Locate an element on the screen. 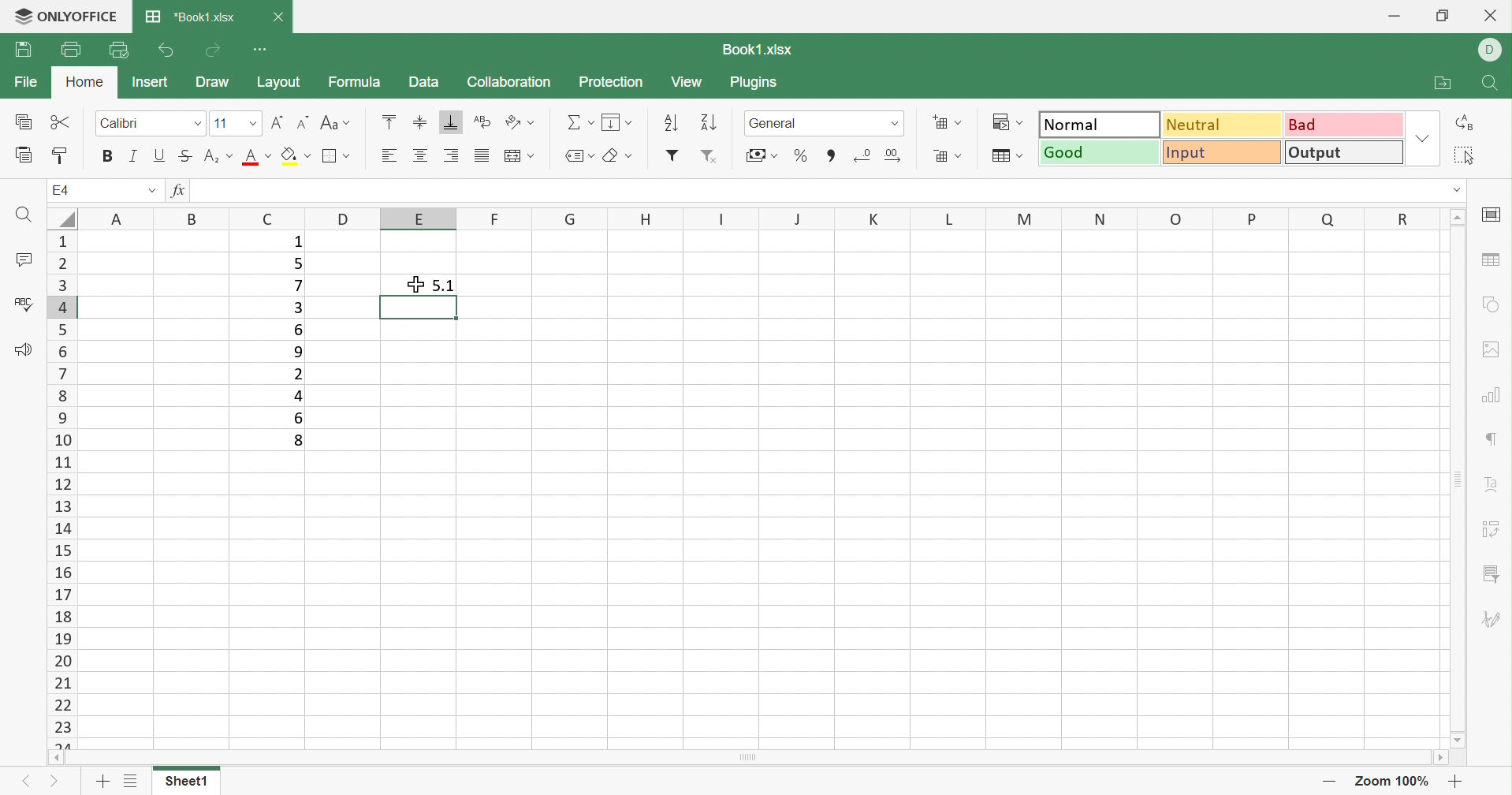 The image size is (1512, 795). Paste is located at coordinates (23, 155).